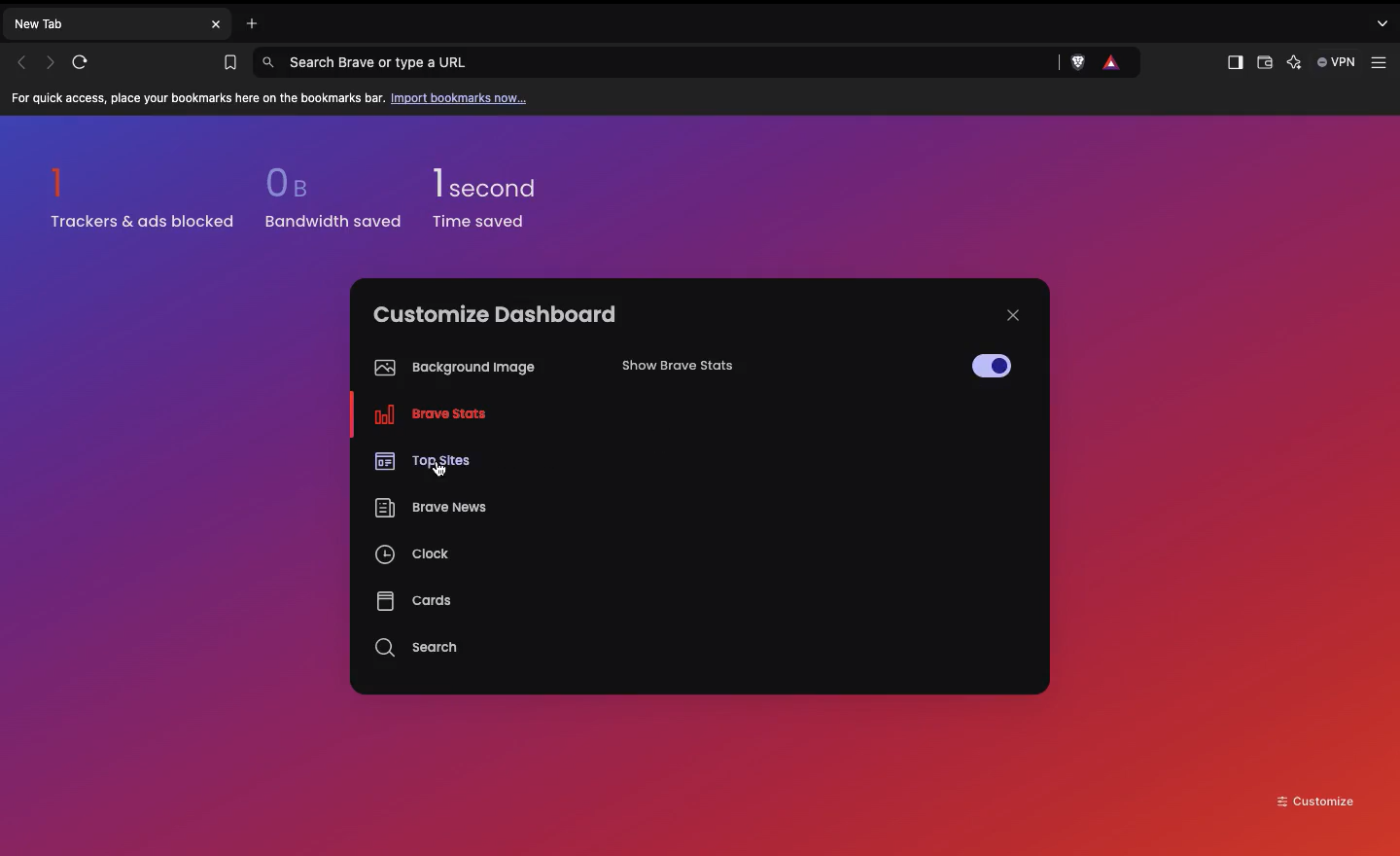  What do you see at coordinates (1003, 195) in the screenshot?
I see `New background` at bounding box center [1003, 195].